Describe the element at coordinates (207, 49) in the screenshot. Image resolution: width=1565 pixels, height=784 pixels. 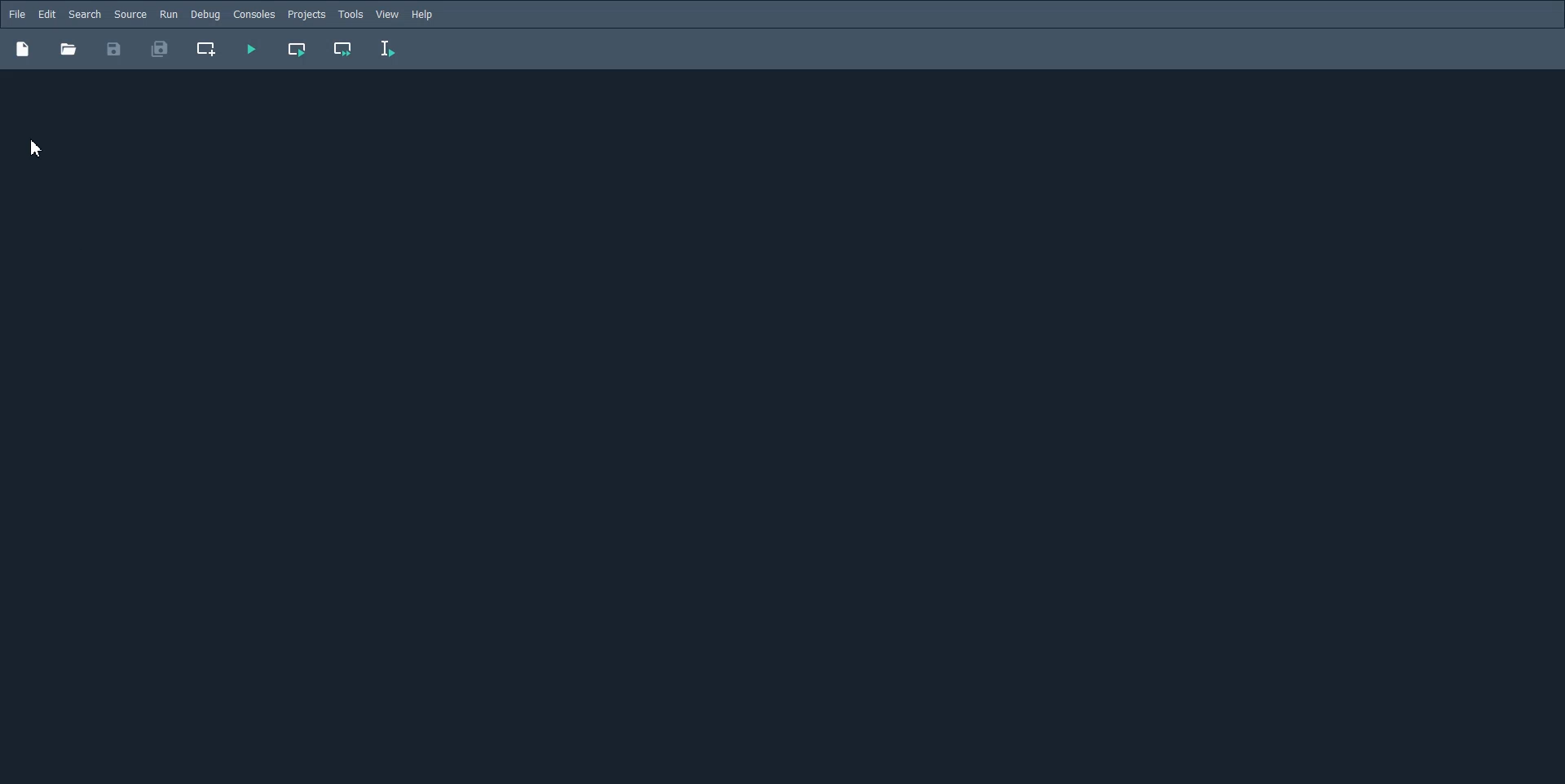
I see `Create new cell` at that location.